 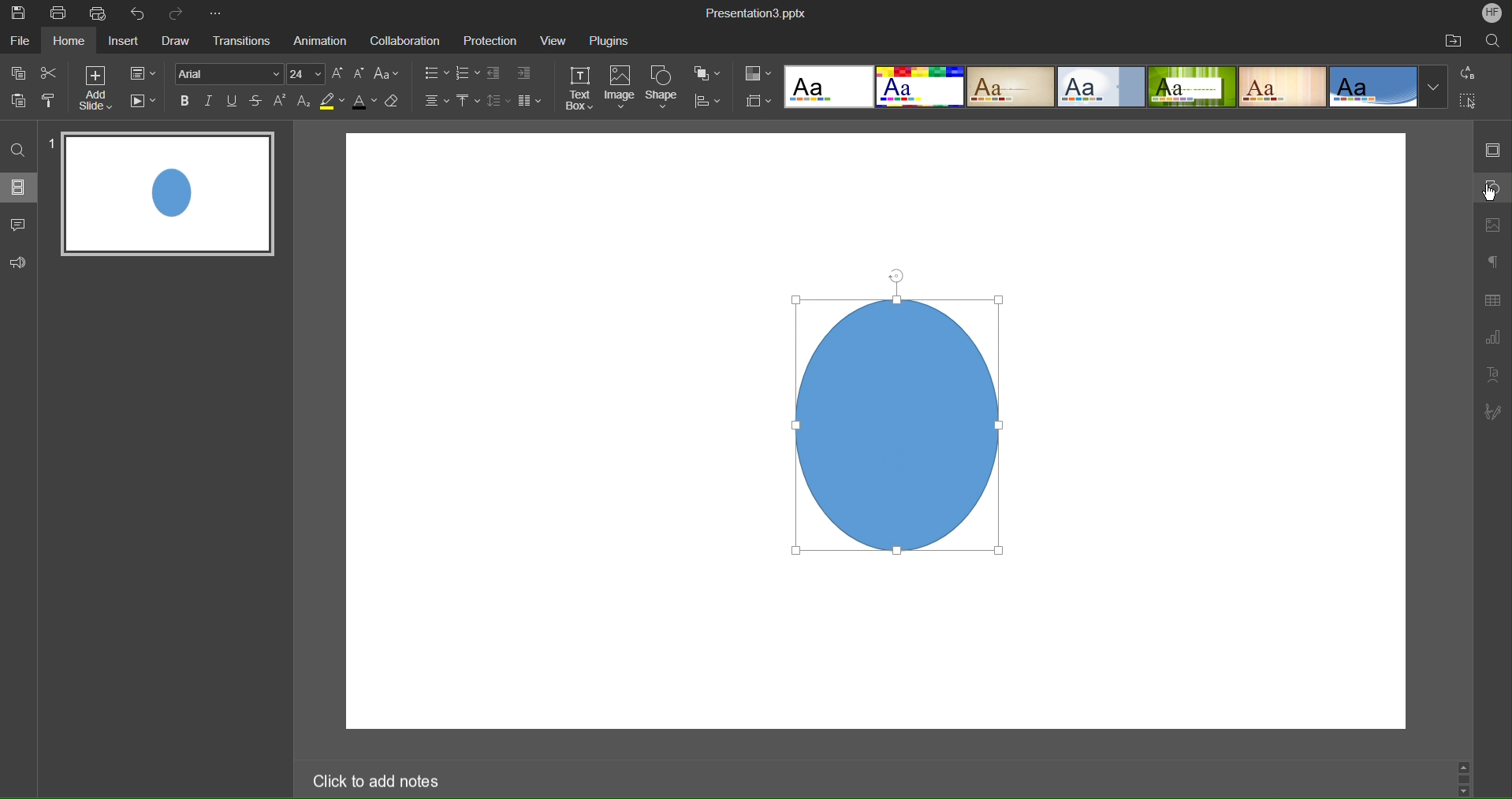 What do you see at coordinates (307, 74) in the screenshot?
I see `24` at bounding box center [307, 74].